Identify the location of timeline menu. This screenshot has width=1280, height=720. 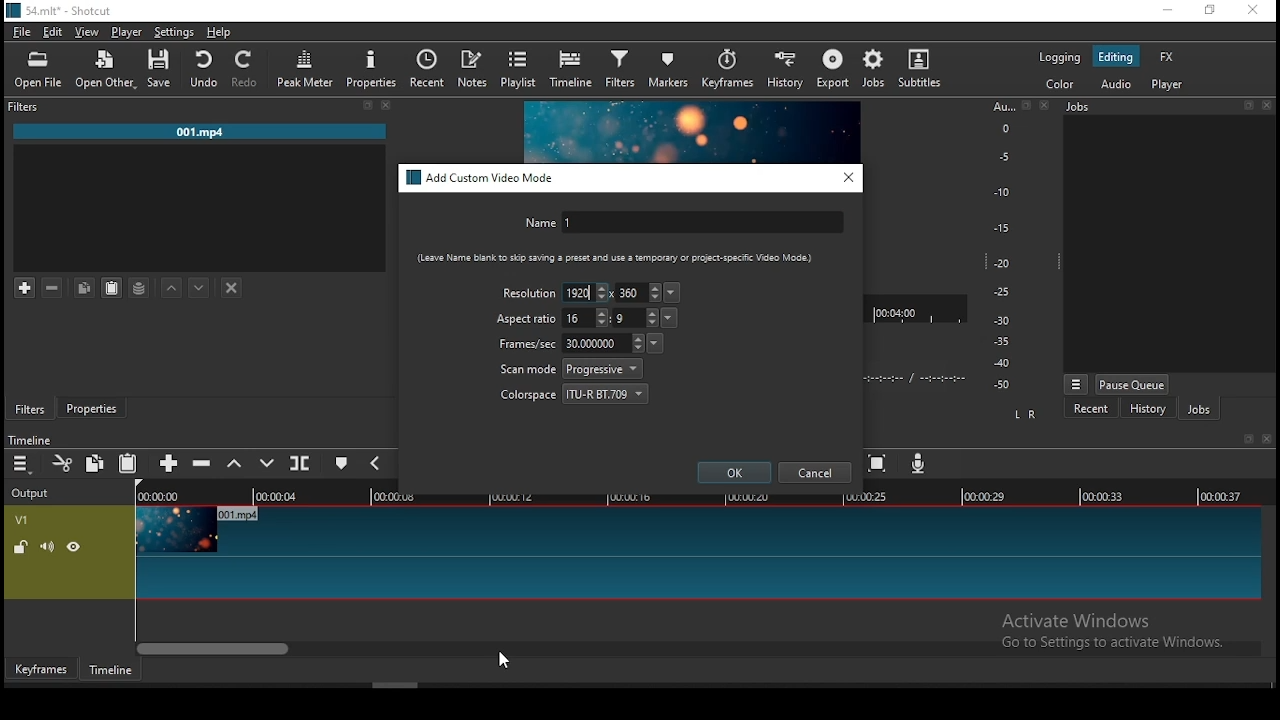
(24, 464).